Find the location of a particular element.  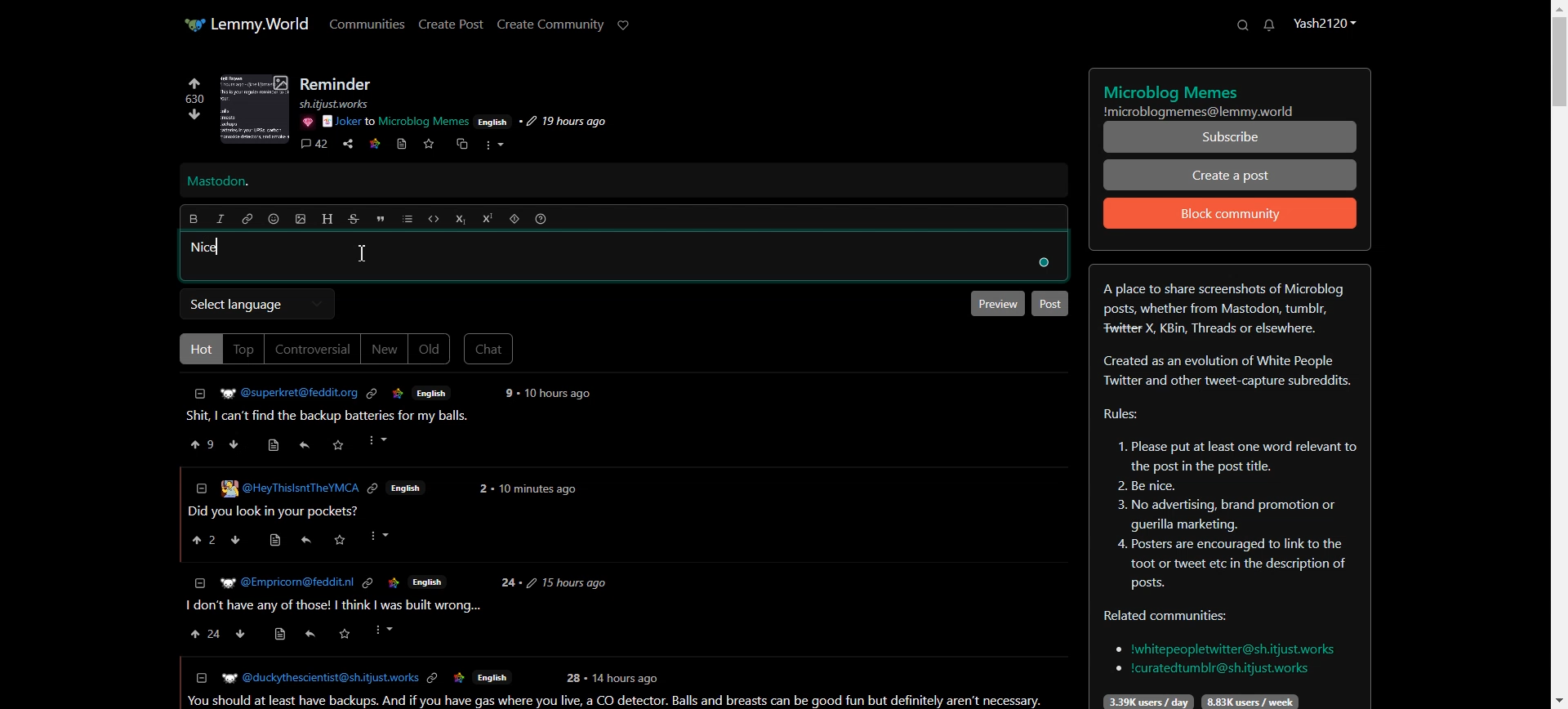

Text is located at coordinates (1229, 487).